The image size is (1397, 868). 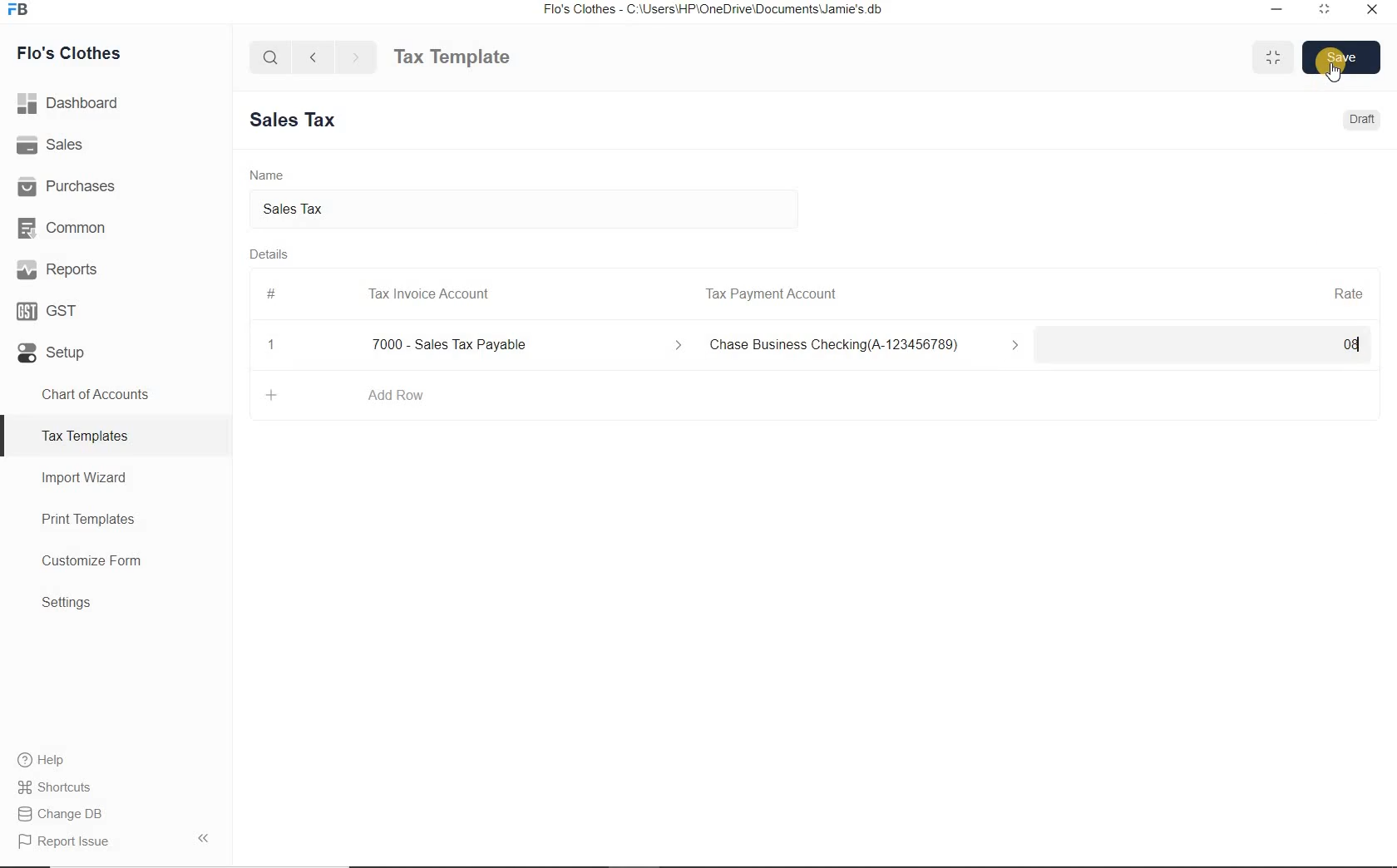 I want to click on Minimize, so click(x=1277, y=11).